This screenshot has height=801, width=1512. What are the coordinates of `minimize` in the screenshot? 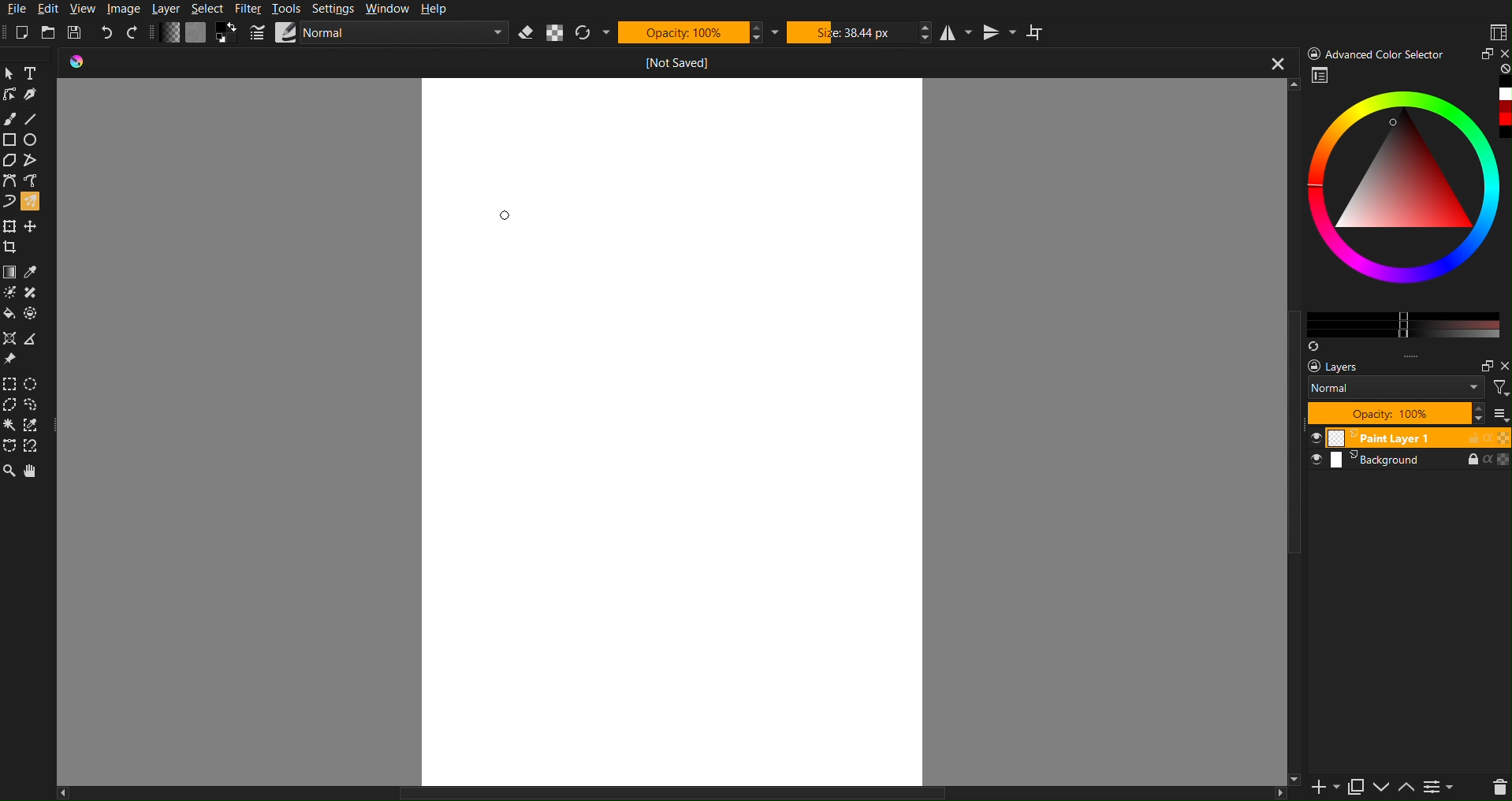 It's located at (1481, 363).